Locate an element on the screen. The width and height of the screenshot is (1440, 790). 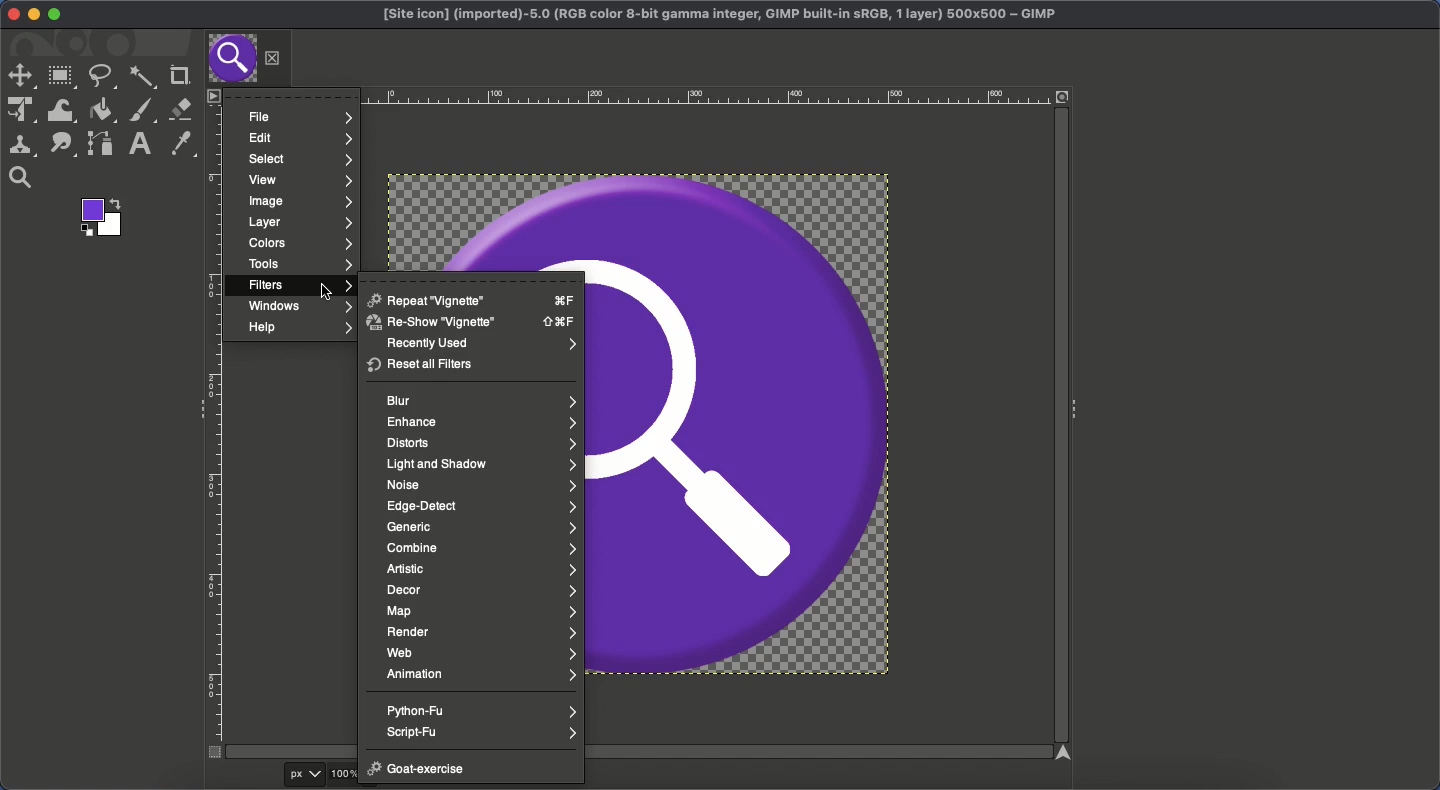
Decor is located at coordinates (481, 590).